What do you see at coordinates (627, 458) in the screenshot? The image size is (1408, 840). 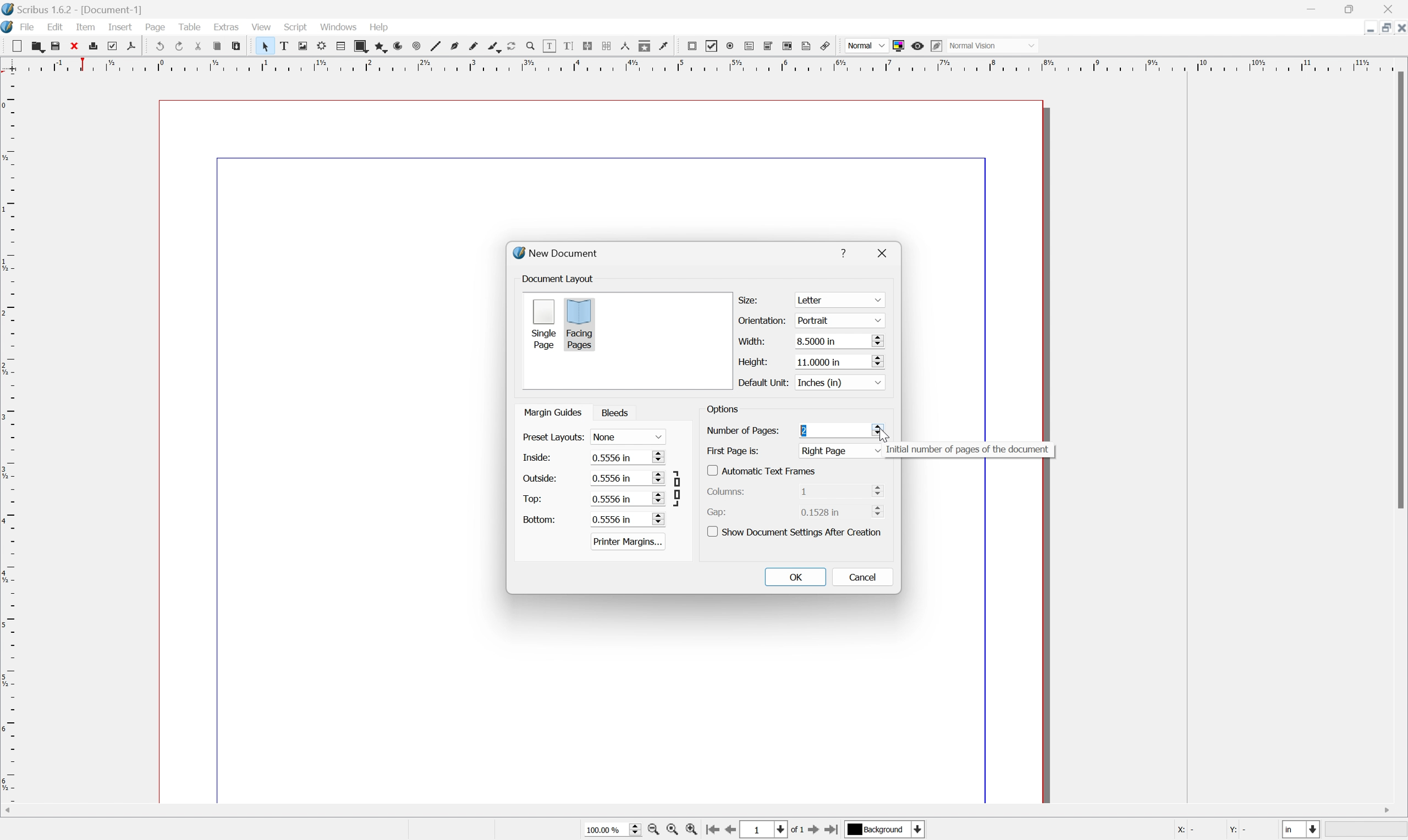 I see `0.5556 in` at bounding box center [627, 458].